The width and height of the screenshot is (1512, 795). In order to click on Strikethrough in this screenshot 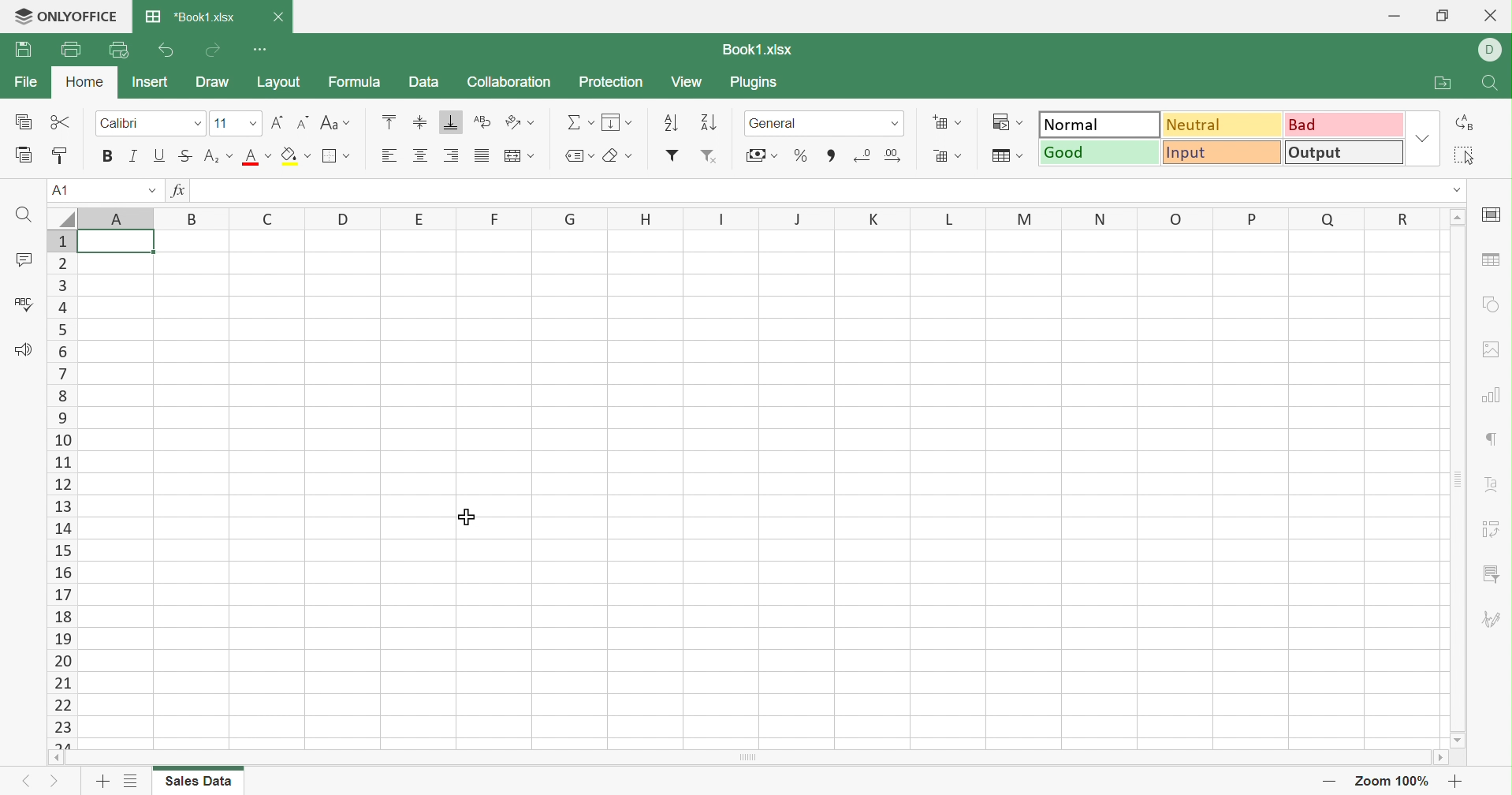, I will do `click(184, 155)`.